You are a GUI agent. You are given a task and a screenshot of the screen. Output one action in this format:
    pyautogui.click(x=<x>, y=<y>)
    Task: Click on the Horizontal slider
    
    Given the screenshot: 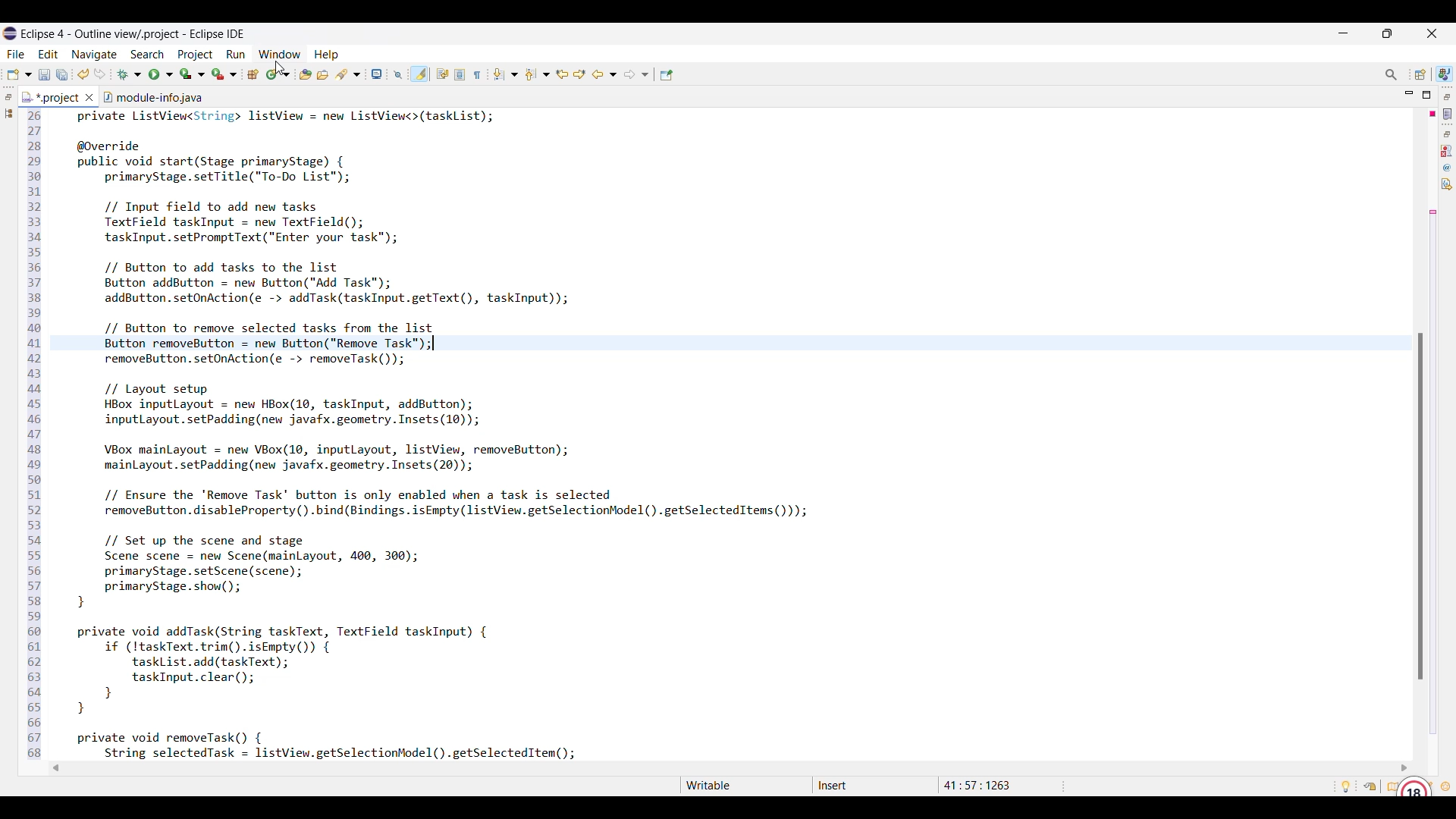 What is the action you would take?
    pyautogui.click(x=730, y=768)
    